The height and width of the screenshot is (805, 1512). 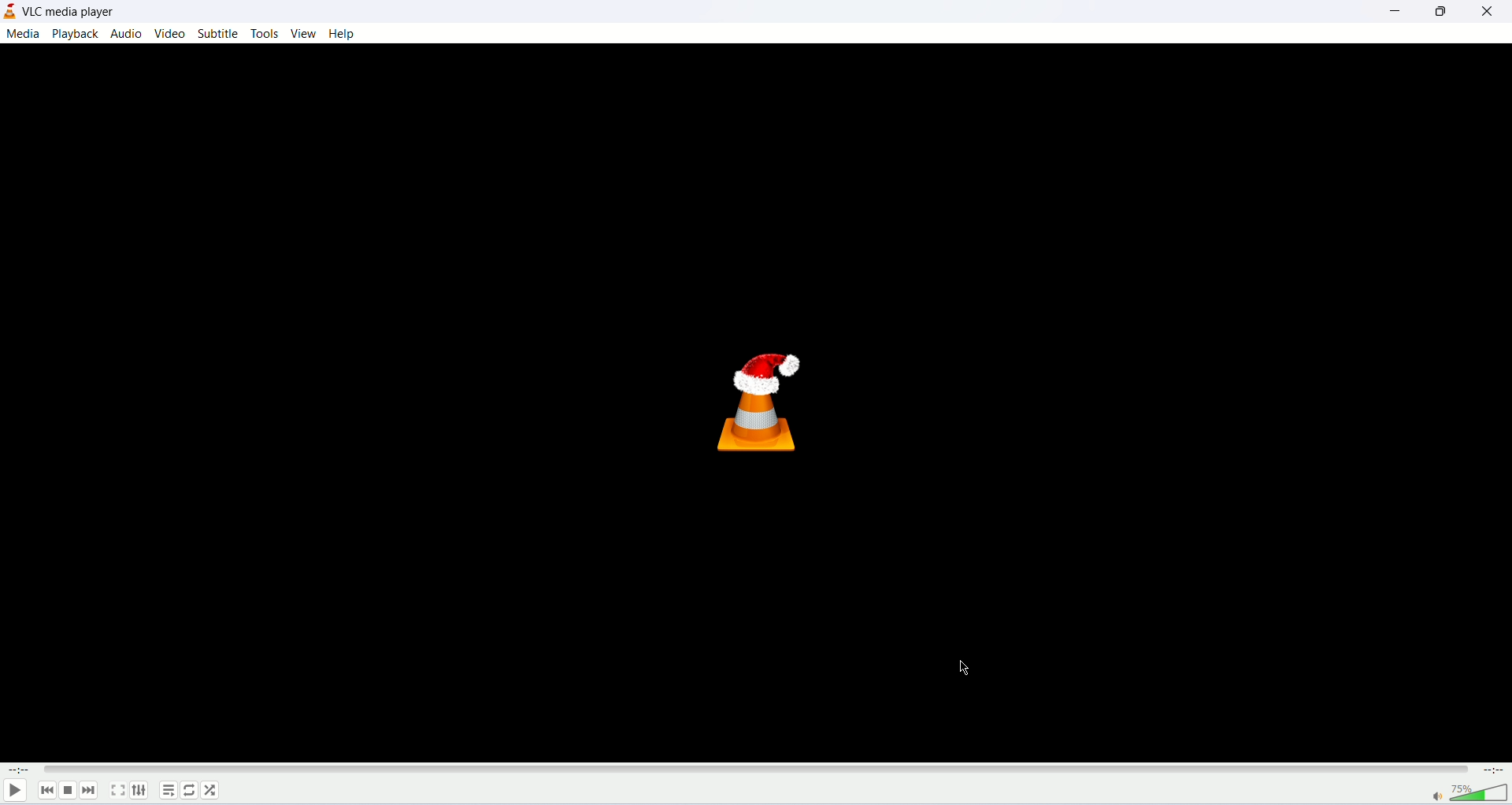 I want to click on main screen, so click(x=754, y=402).